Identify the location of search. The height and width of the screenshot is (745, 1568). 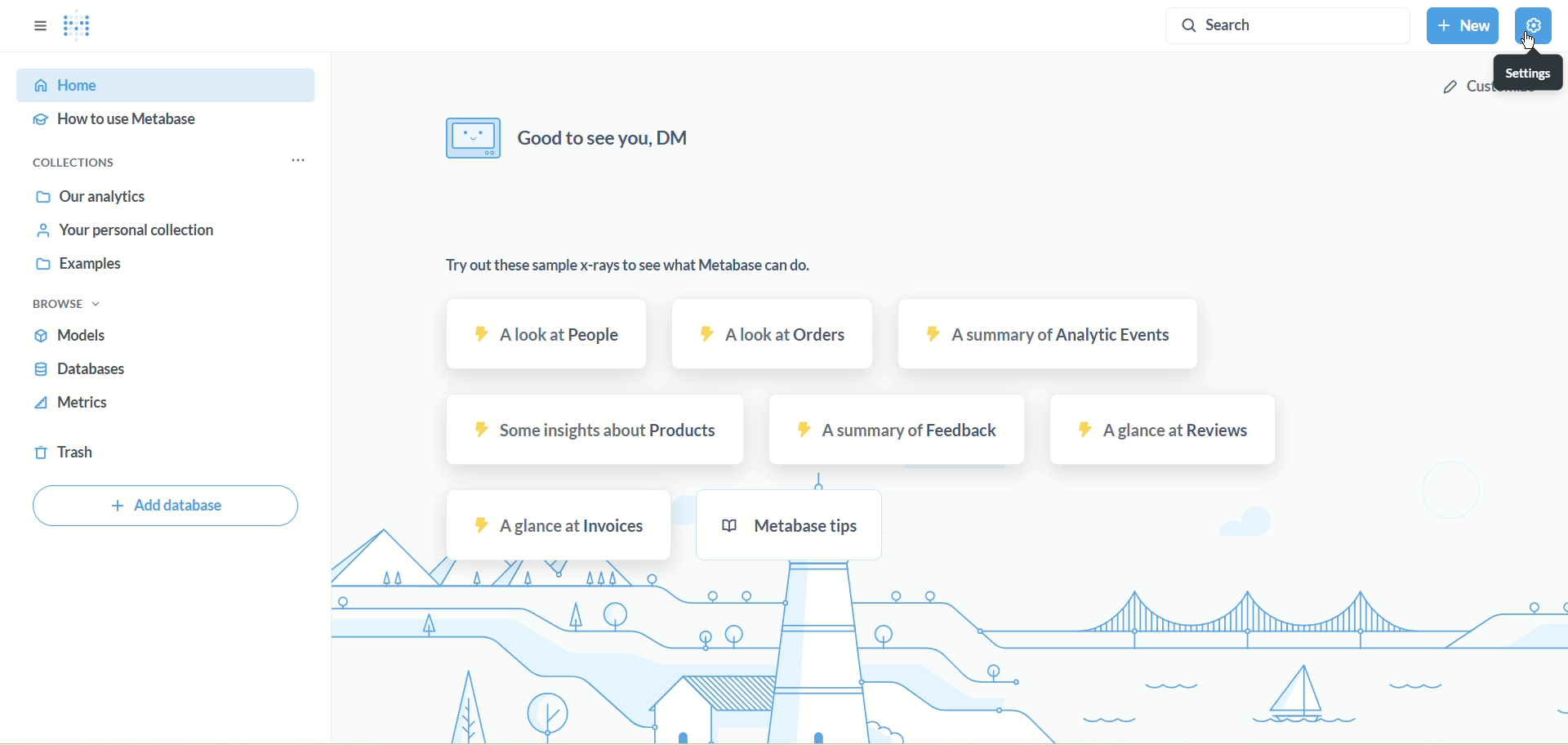
(1281, 29).